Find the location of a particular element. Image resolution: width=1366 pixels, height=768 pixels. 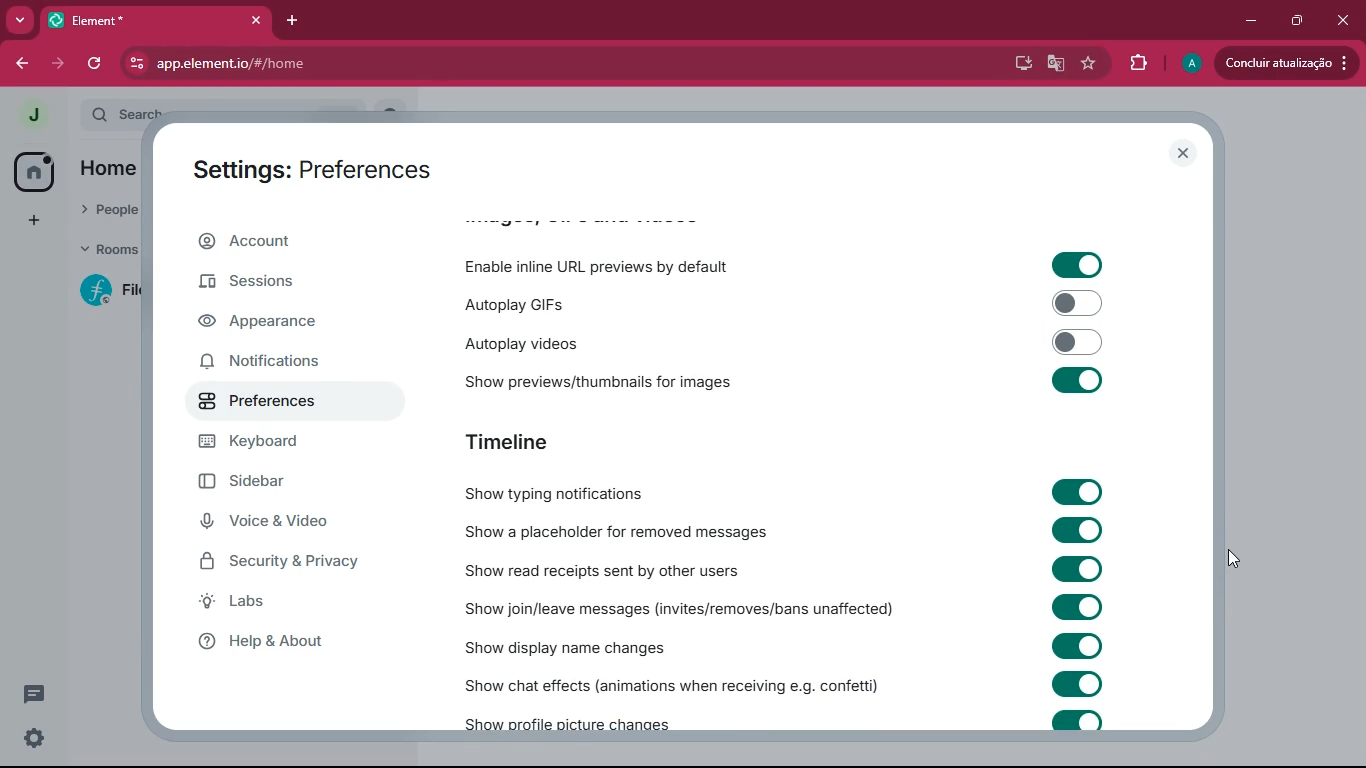

show join/leave messages (invites/removes/bans unaffected) is located at coordinates (673, 607).